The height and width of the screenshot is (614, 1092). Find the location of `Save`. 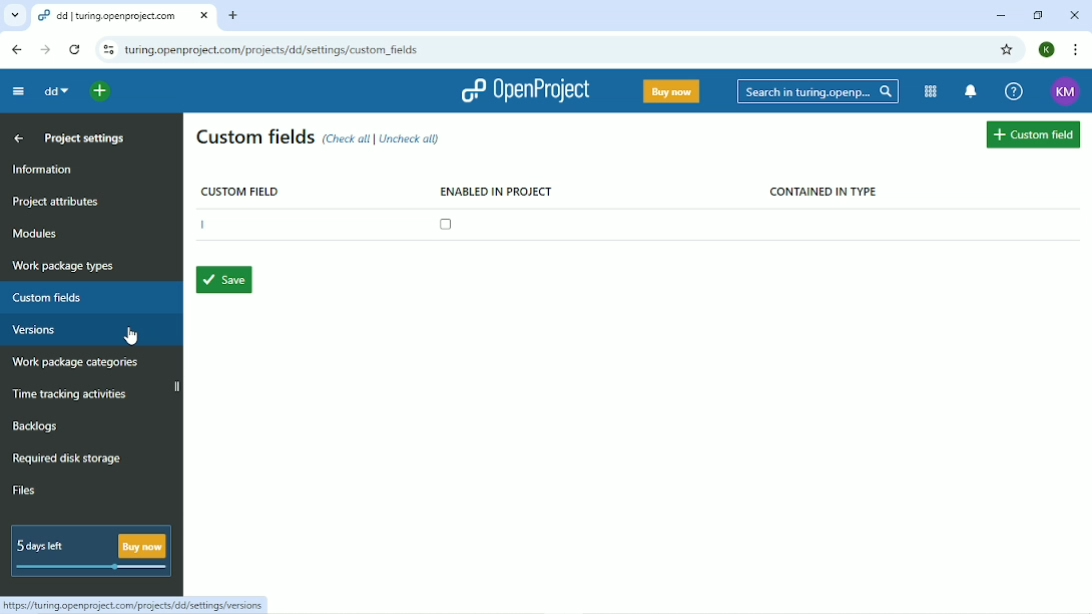

Save is located at coordinates (227, 280).